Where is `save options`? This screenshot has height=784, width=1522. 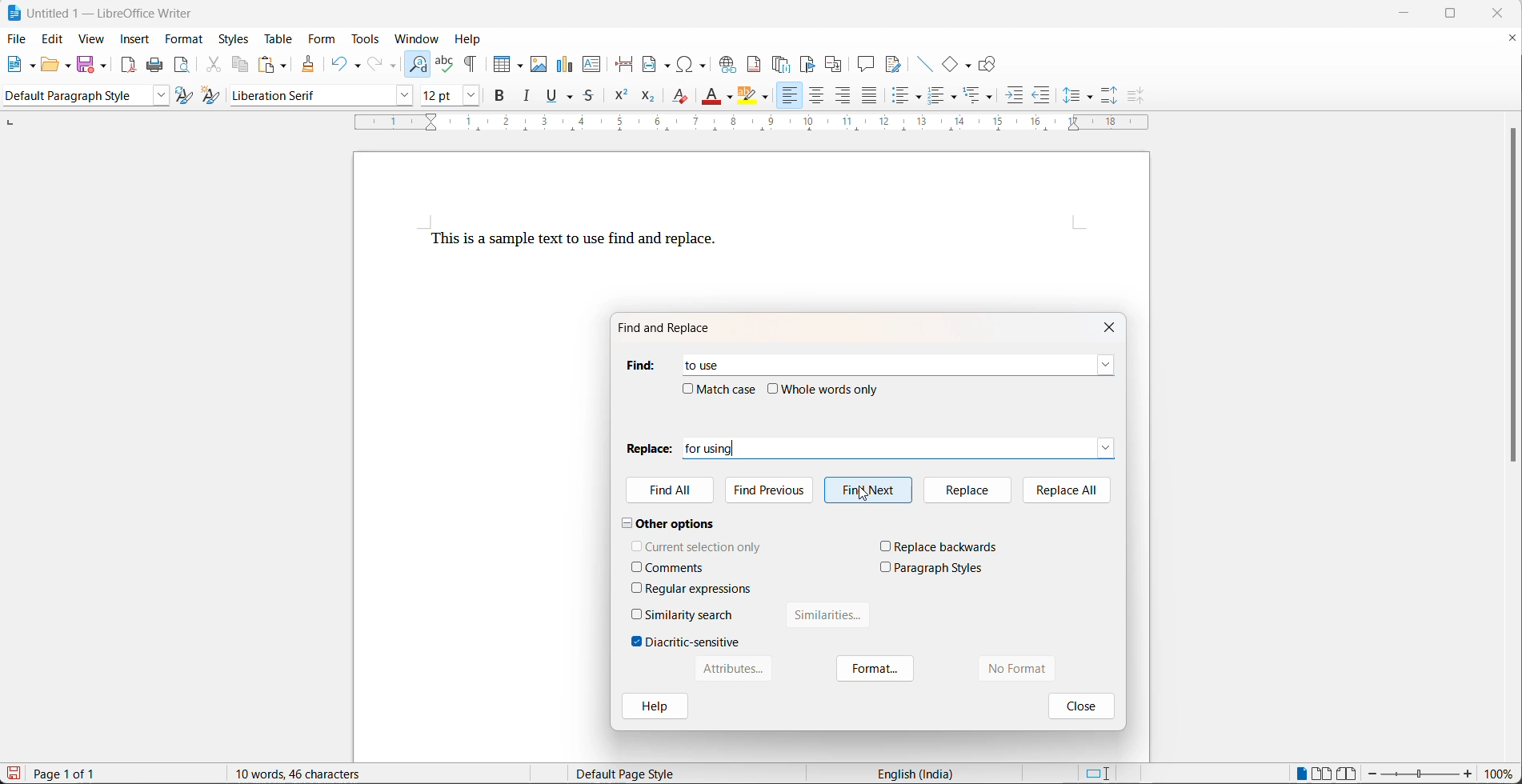 save options is located at coordinates (104, 65).